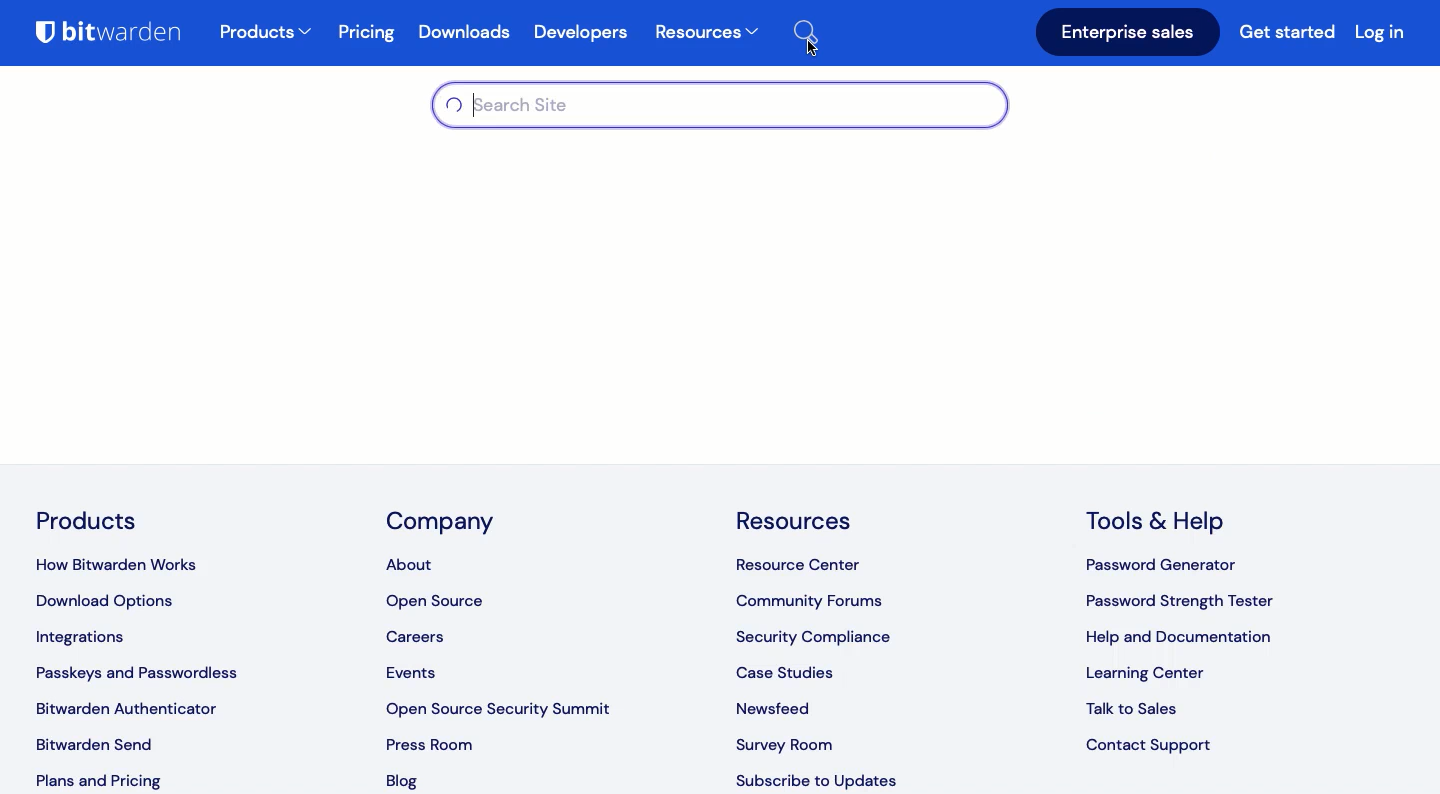 The width and height of the screenshot is (1440, 794). What do you see at coordinates (580, 33) in the screenshot?
I see `Developers` at bounding box center [580, 33].